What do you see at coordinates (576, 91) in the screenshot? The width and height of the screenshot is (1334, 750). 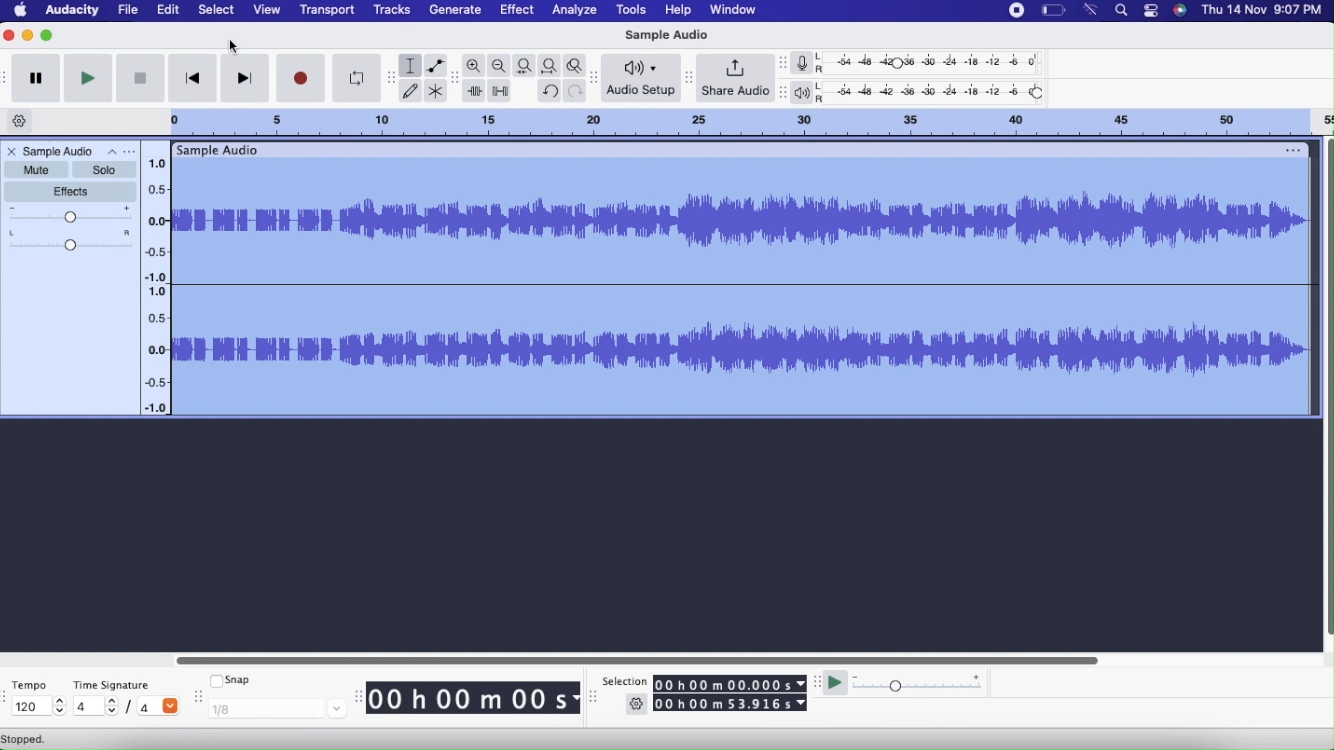 I see `Redo` at bounding box center [576, 91].